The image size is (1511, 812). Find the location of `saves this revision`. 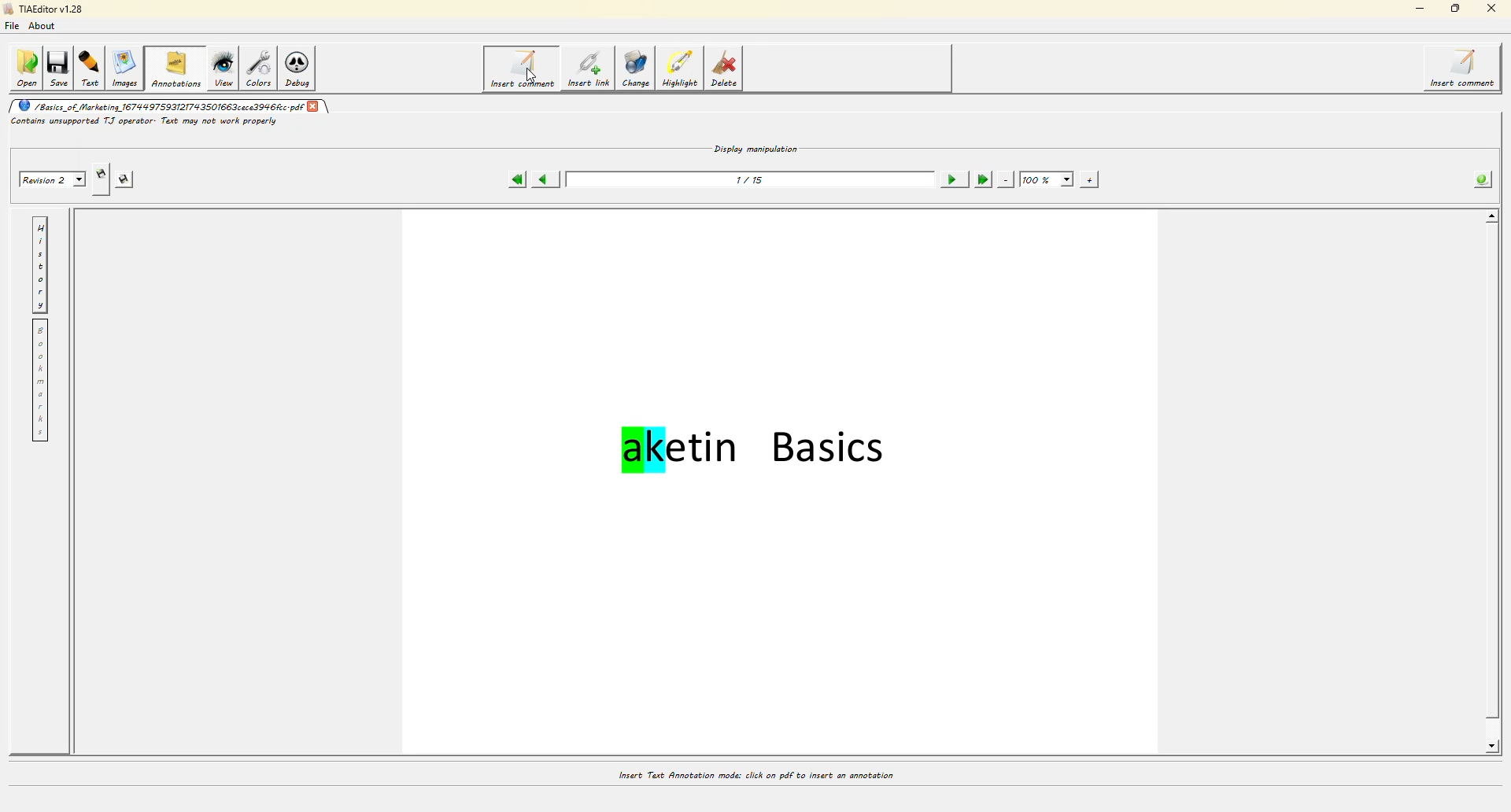

saves this revision is located at coordinates (129, 179).